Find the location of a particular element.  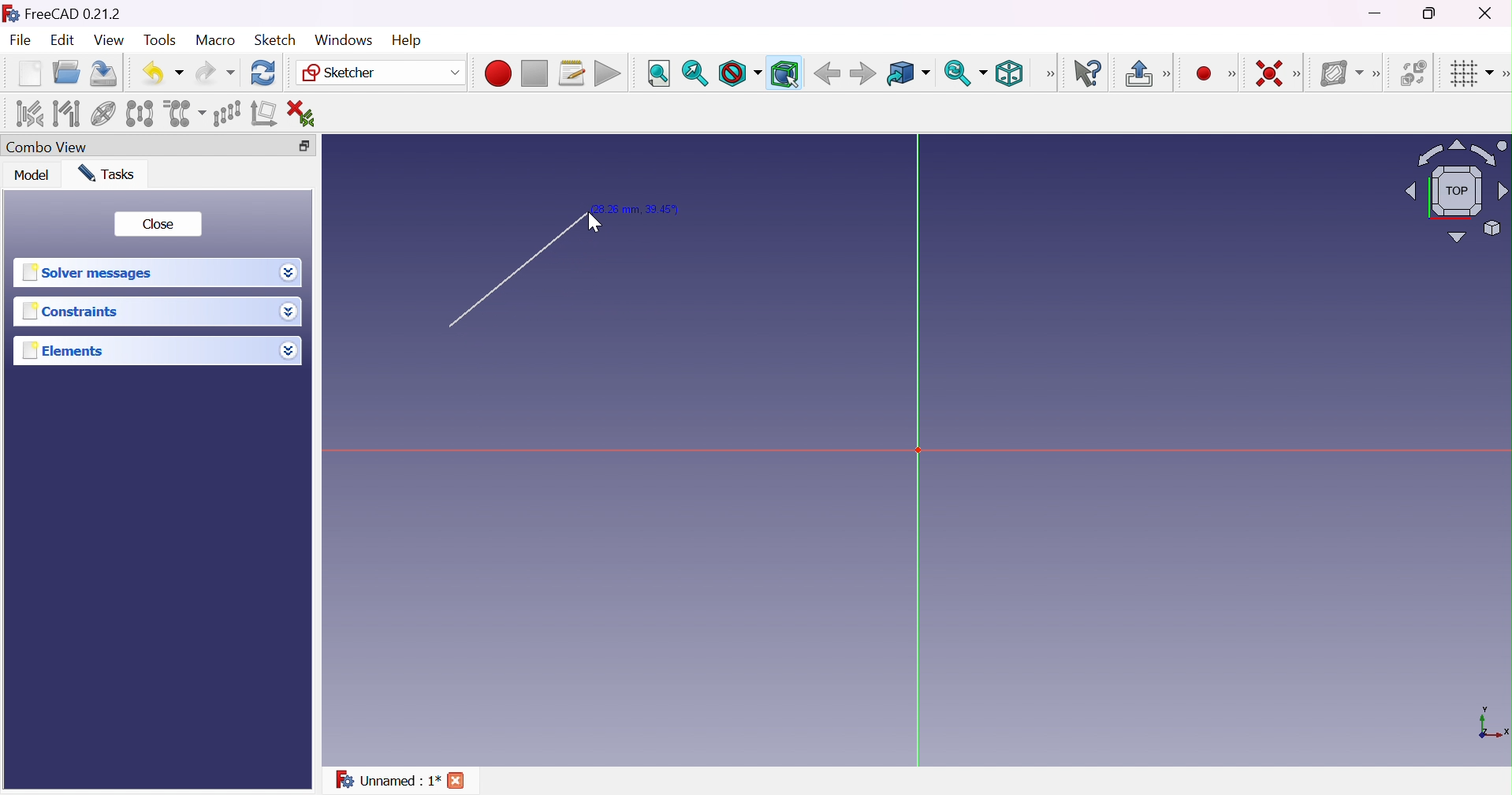

Fit selection is located at coordinates (695, 73).